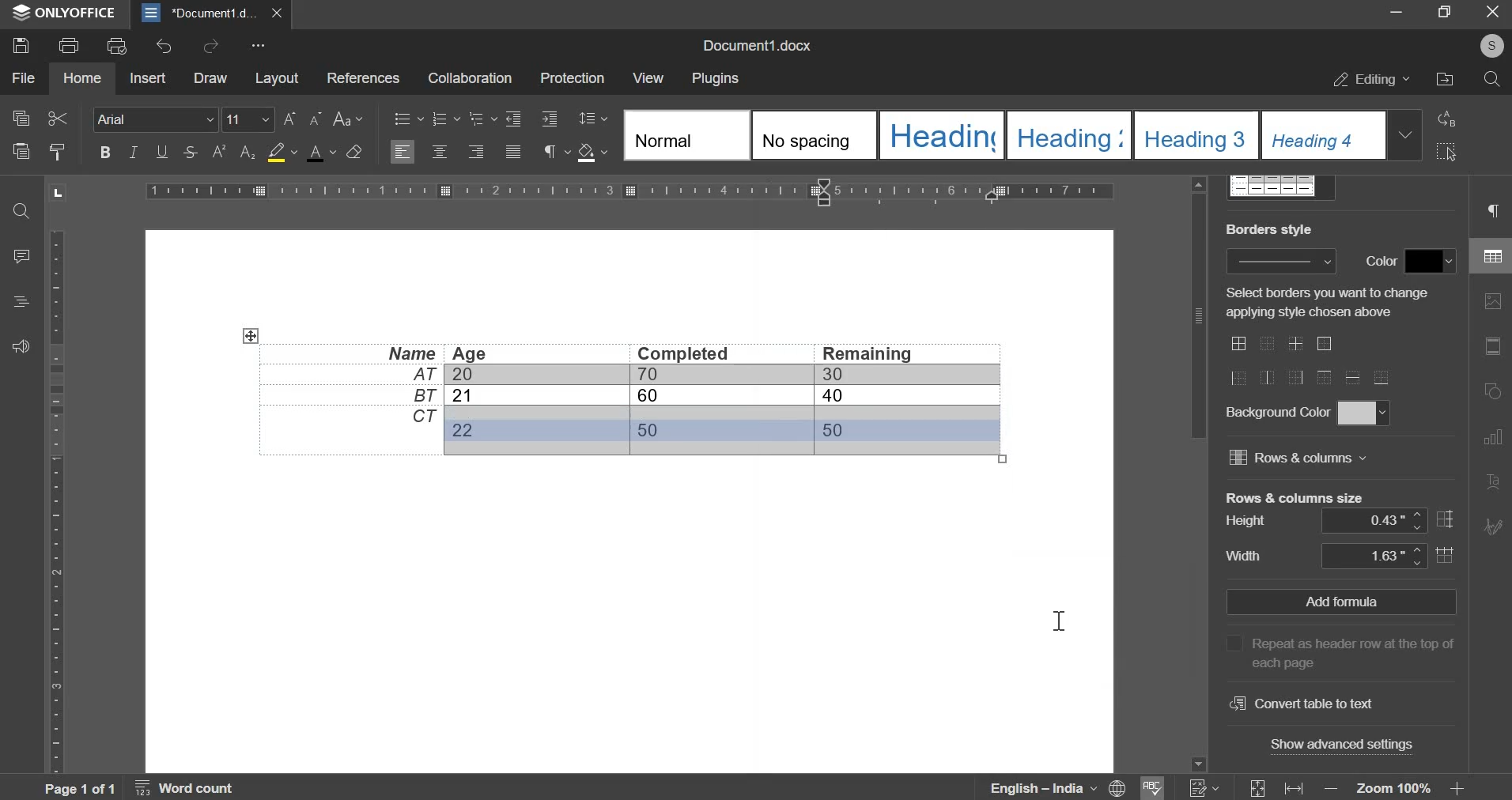  I want to click on copy, so click(19, 119).